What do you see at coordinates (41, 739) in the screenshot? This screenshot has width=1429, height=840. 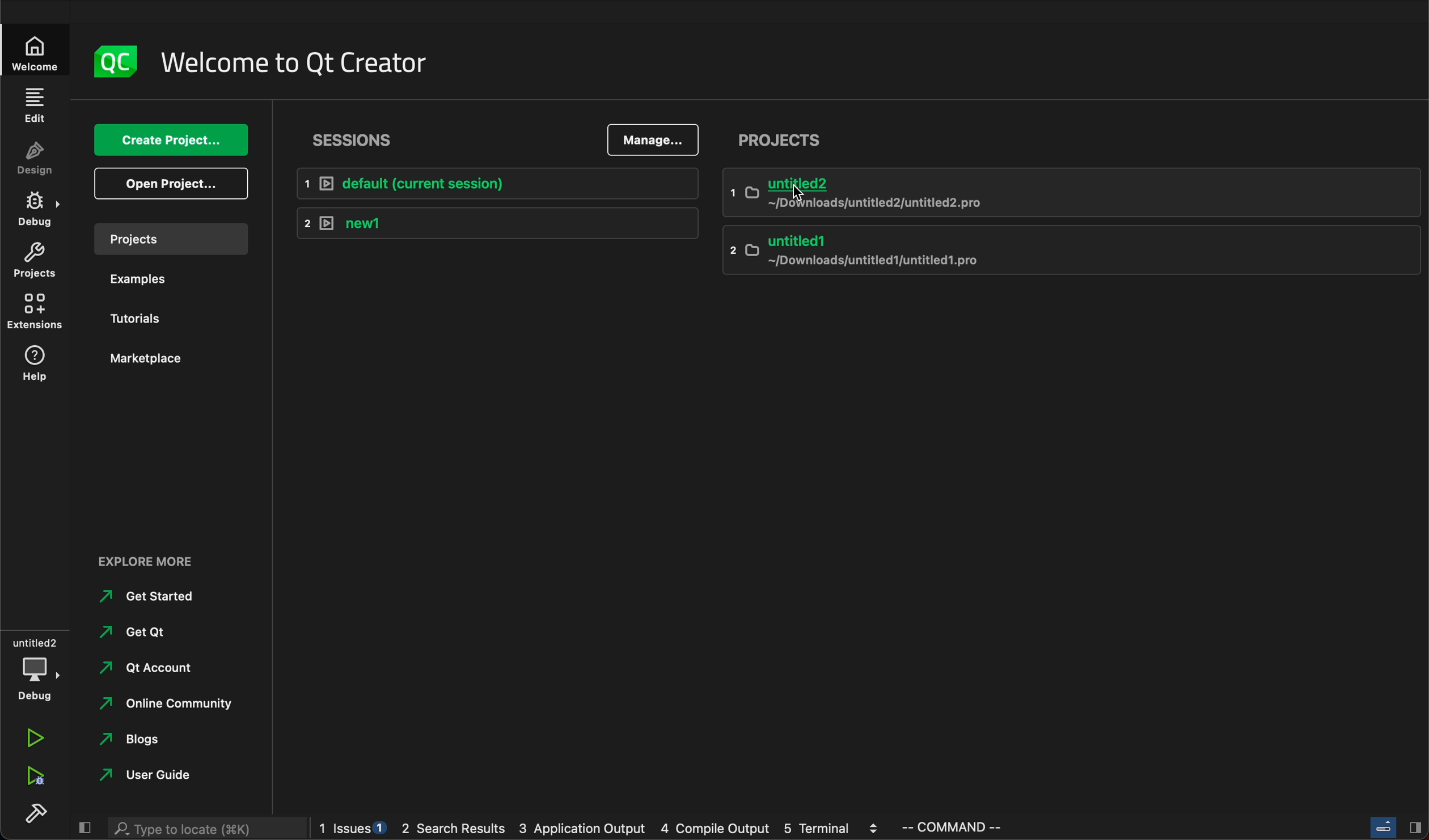 I see `run` at bounding box center [41, 739].